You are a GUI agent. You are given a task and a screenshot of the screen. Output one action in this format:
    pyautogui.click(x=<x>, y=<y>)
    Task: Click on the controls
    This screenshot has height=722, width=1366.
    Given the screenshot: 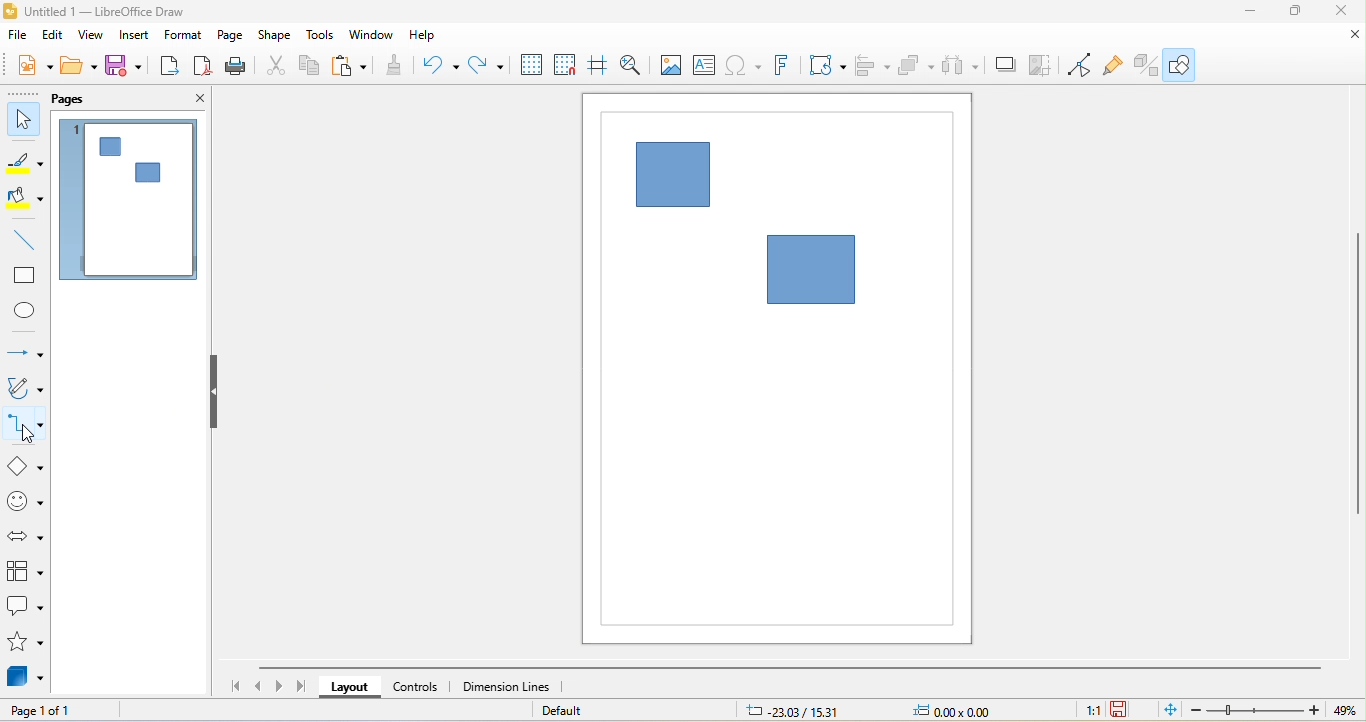 What is the action you would take?
    pyautogui.click(x=417, y=689)
    